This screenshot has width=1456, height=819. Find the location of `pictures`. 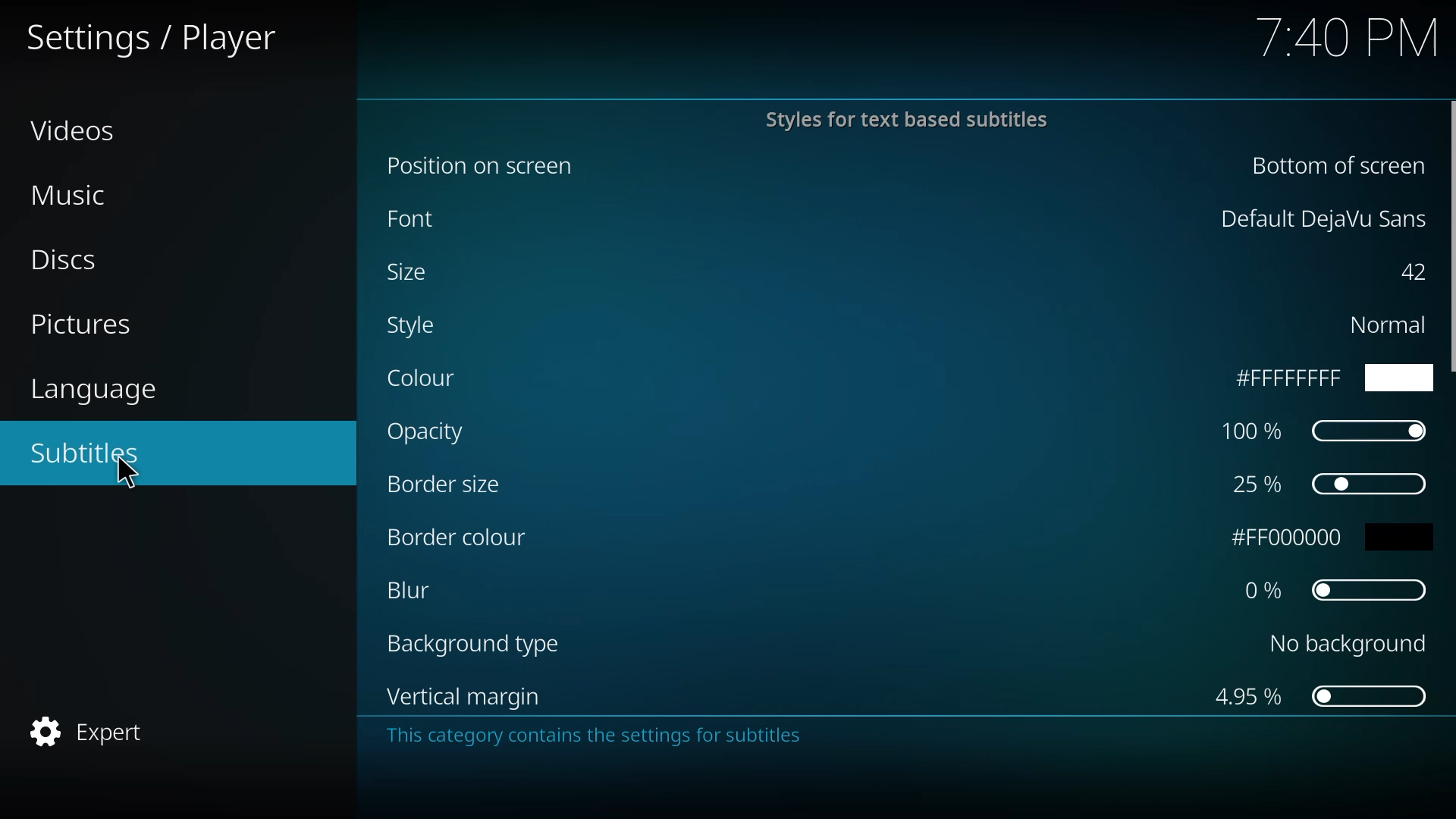

pictures is located at coordinates (83, 325).